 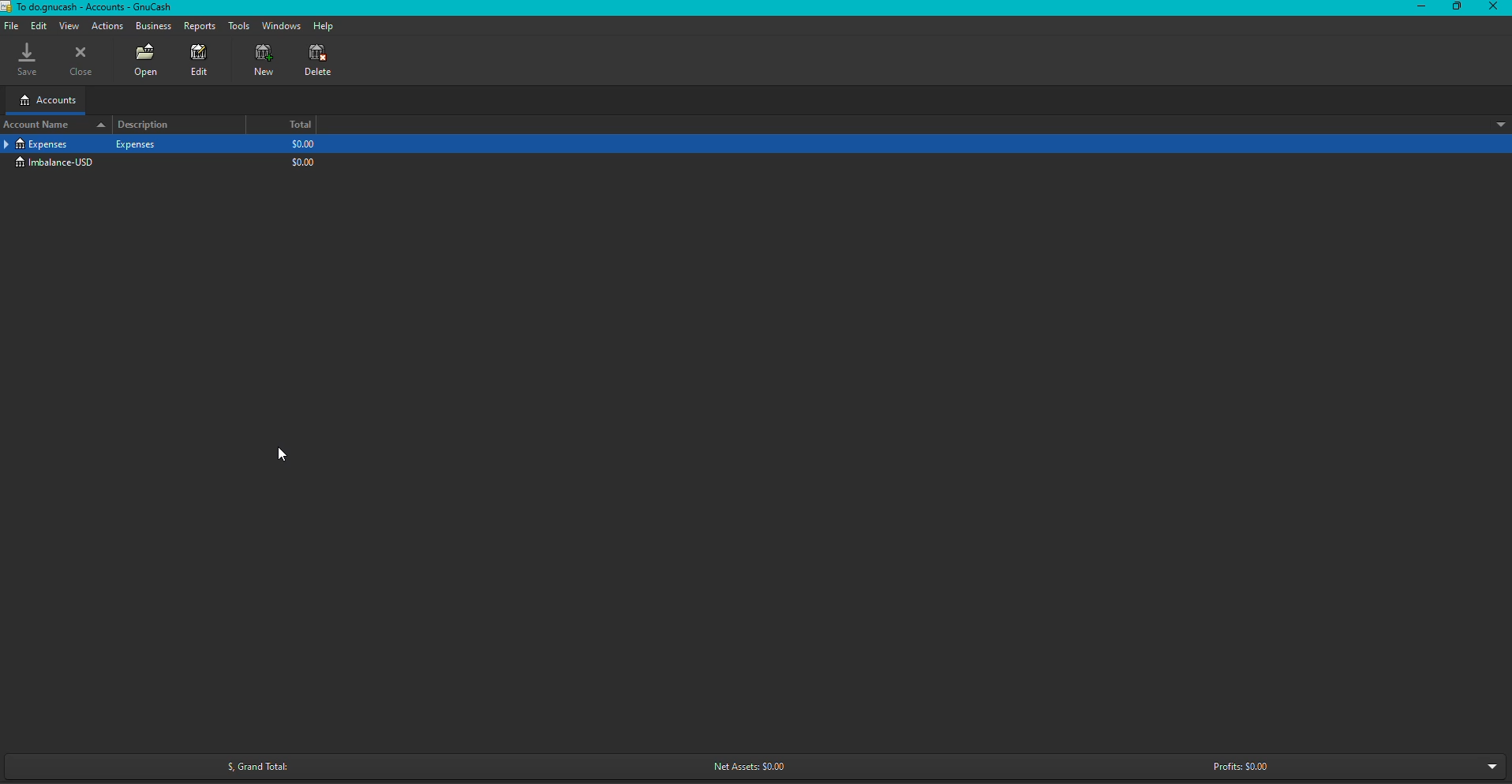 I want to click on Save, so click(x=24, y=61).